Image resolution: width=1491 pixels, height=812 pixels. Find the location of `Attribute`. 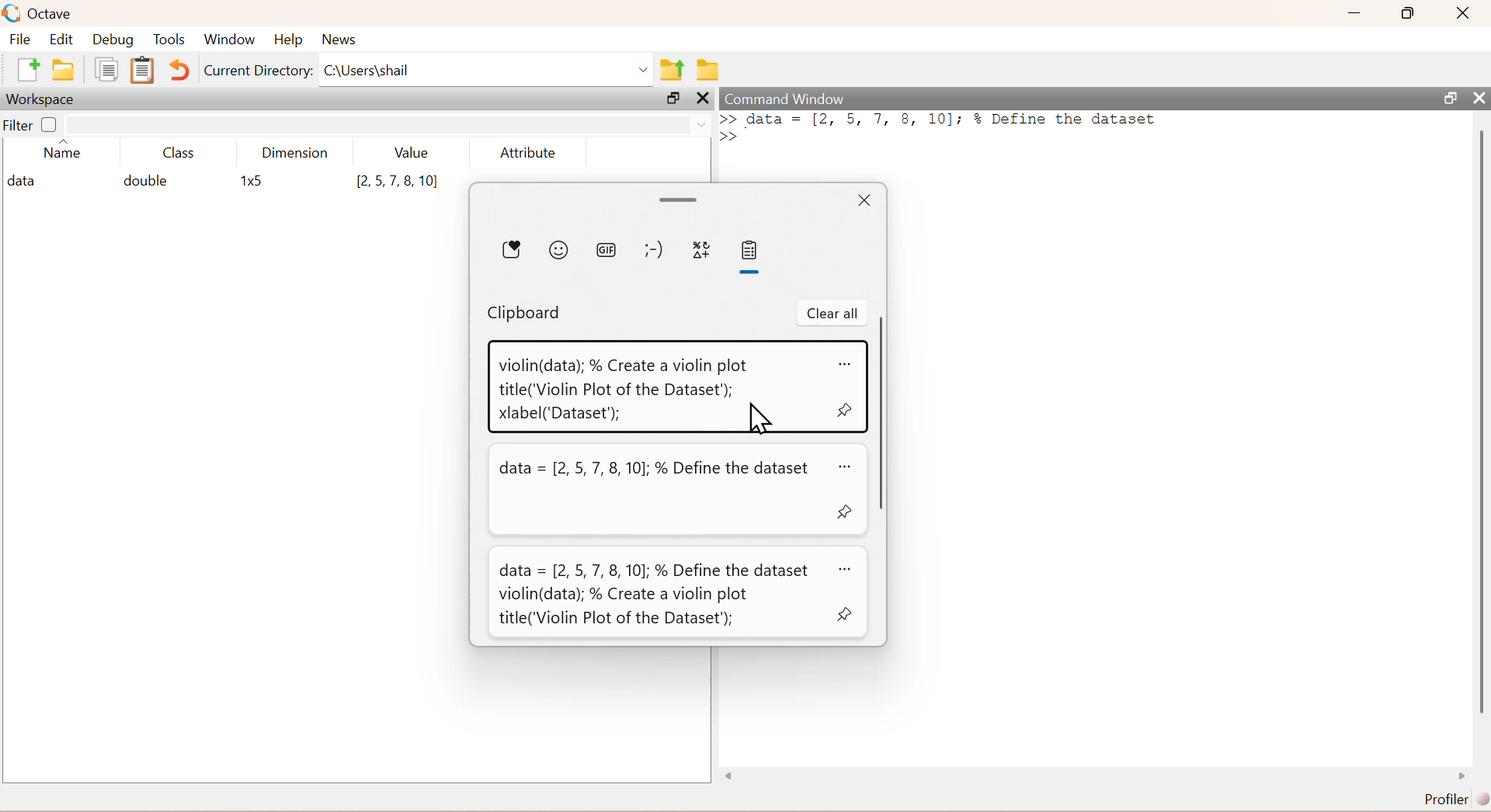

Attribute is located at coordinates (529, 152).